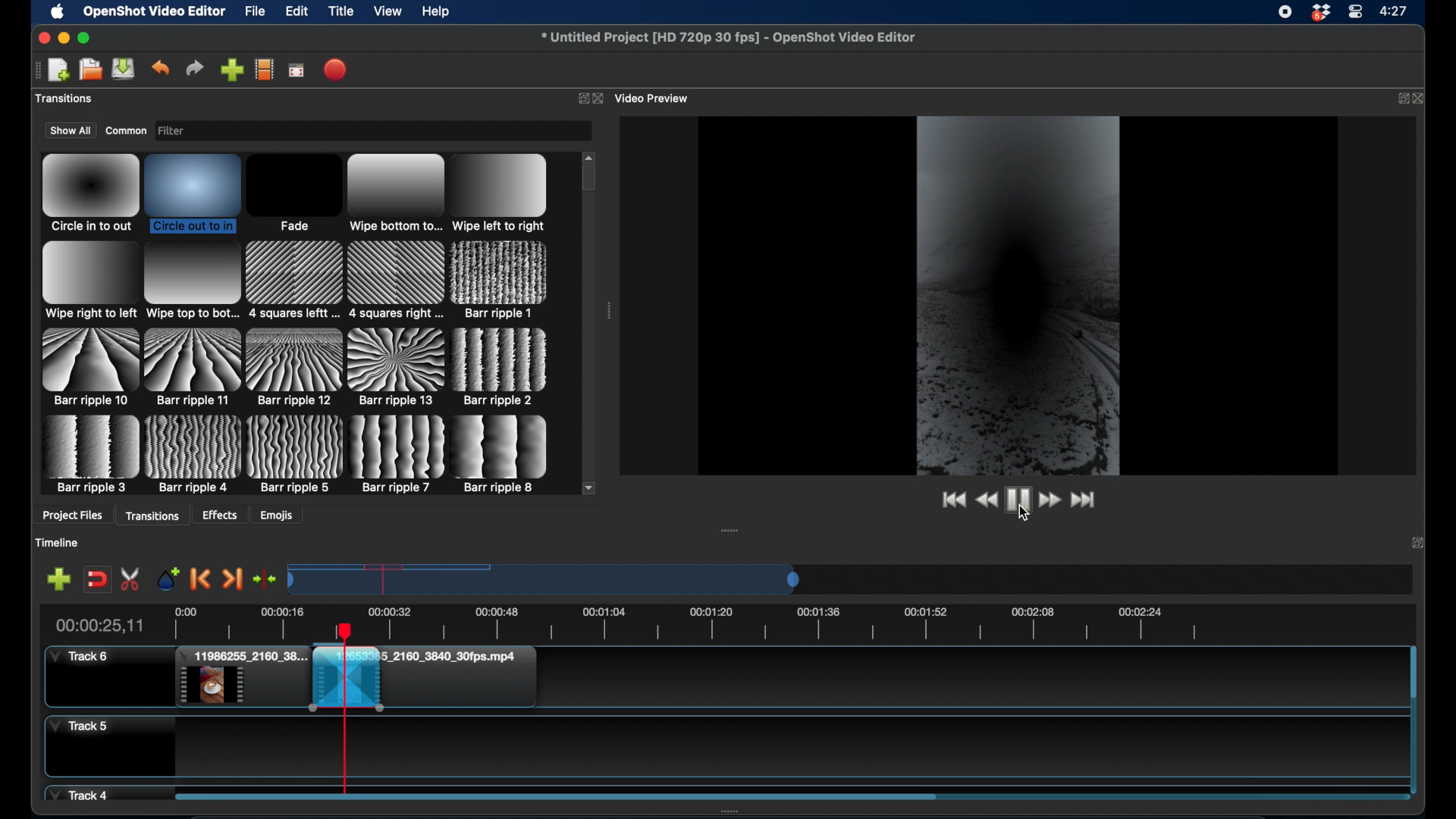 The width and height of the screenshot is (1456, 819). I want to click on current time indicator, so click(99, 625).